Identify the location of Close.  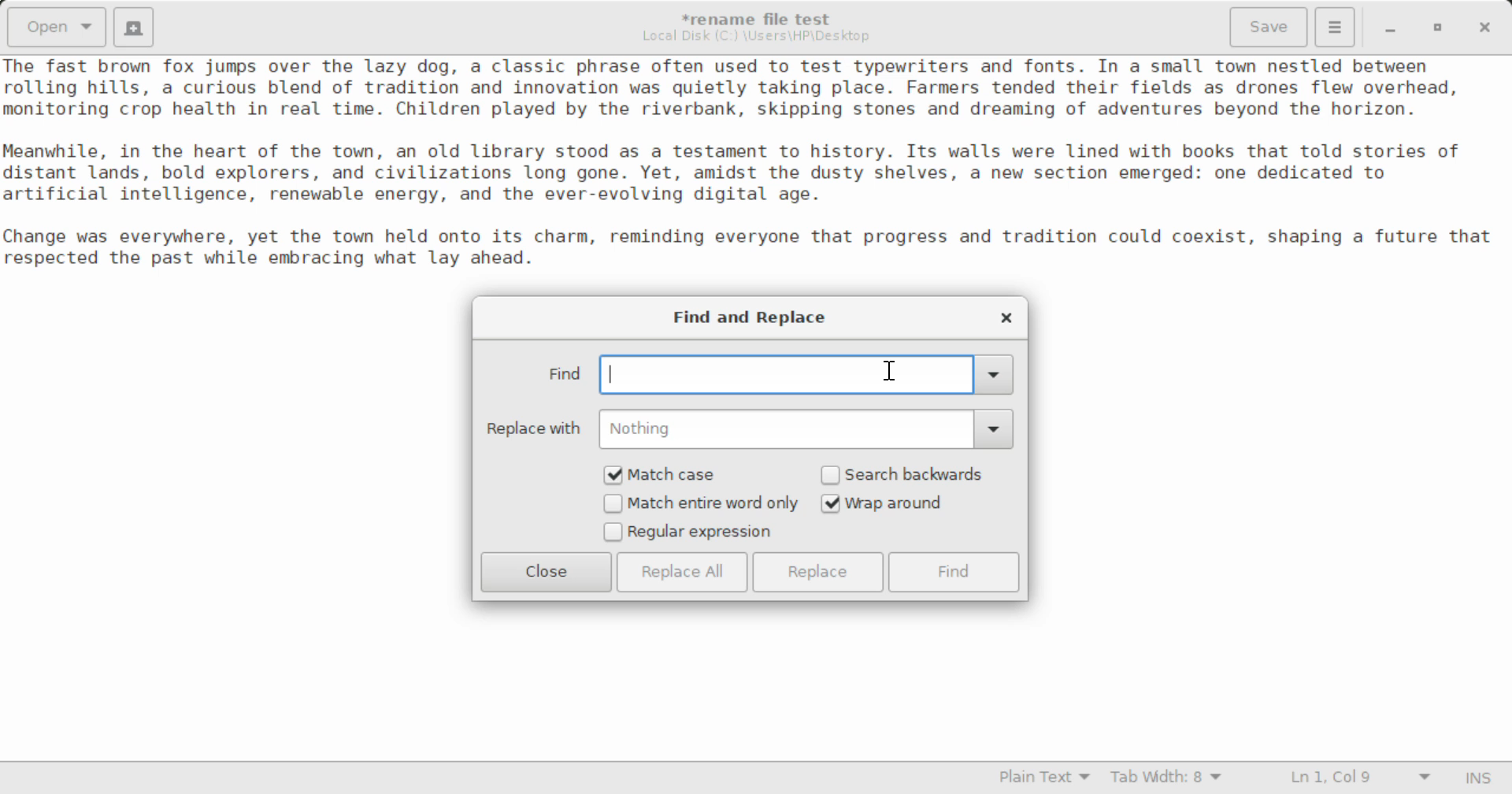
(547, 572).